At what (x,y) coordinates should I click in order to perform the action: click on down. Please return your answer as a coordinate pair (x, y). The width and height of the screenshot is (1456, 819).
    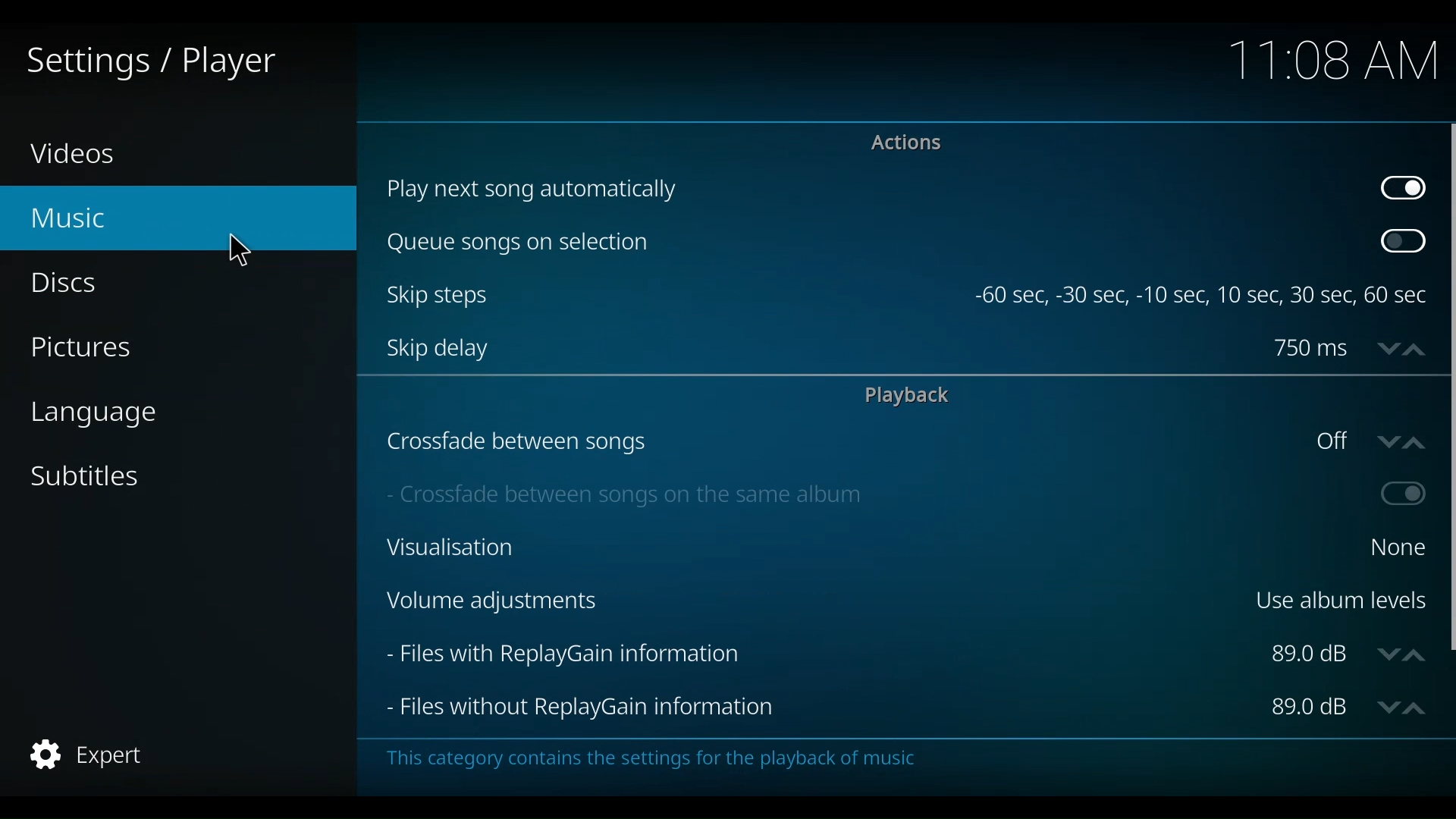
    Looking at the image, I should click on (1384, 441).